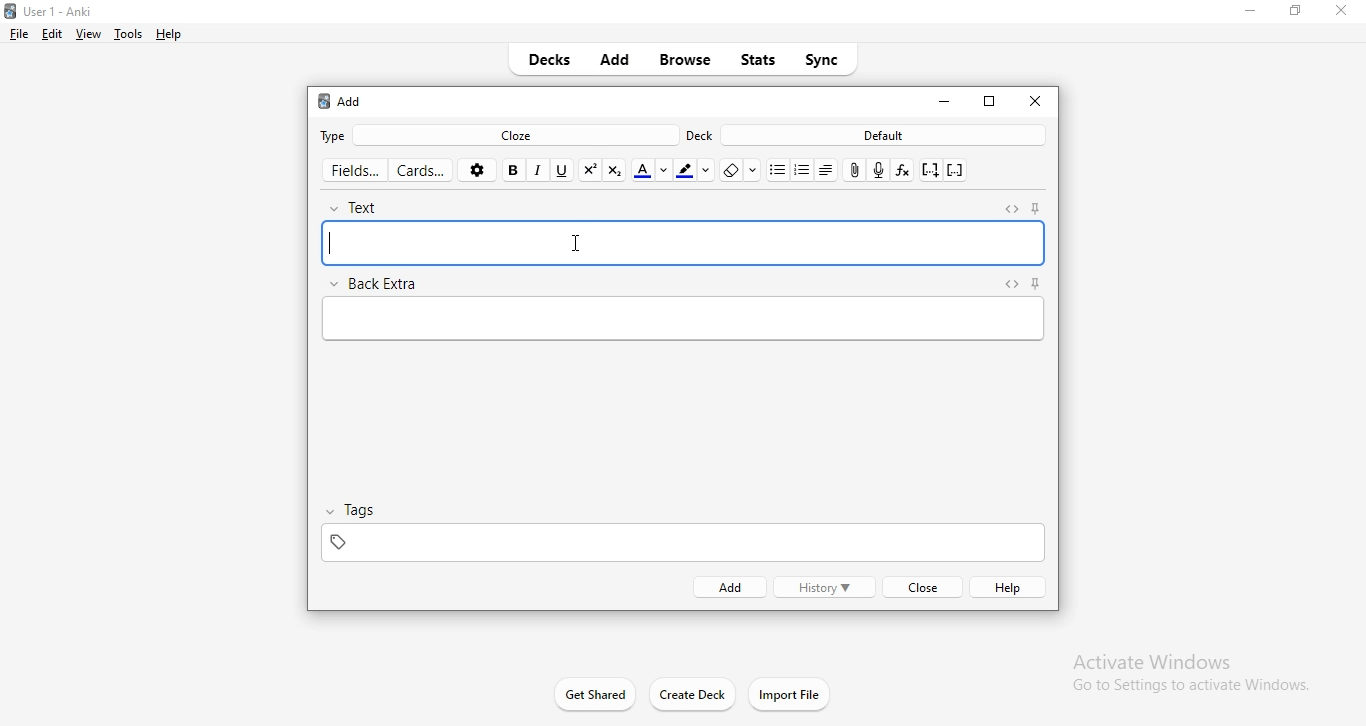  Describe the element at coordinates (700, 136) in the screenshot. I see `deck` at that location.